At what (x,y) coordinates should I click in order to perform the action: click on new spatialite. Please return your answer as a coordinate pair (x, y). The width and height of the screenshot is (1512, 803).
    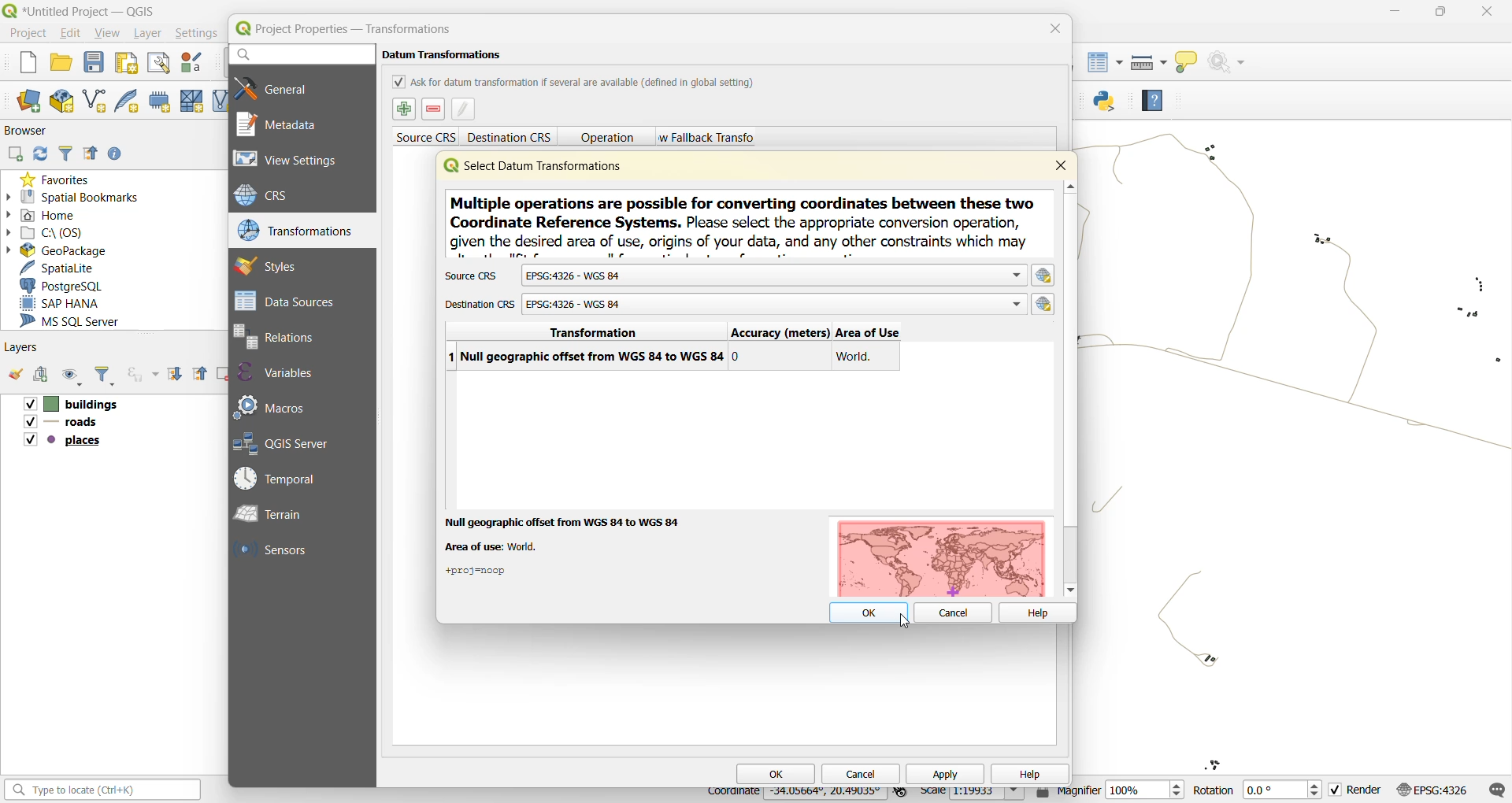
    Looking at the image, I should click on (131, 101).